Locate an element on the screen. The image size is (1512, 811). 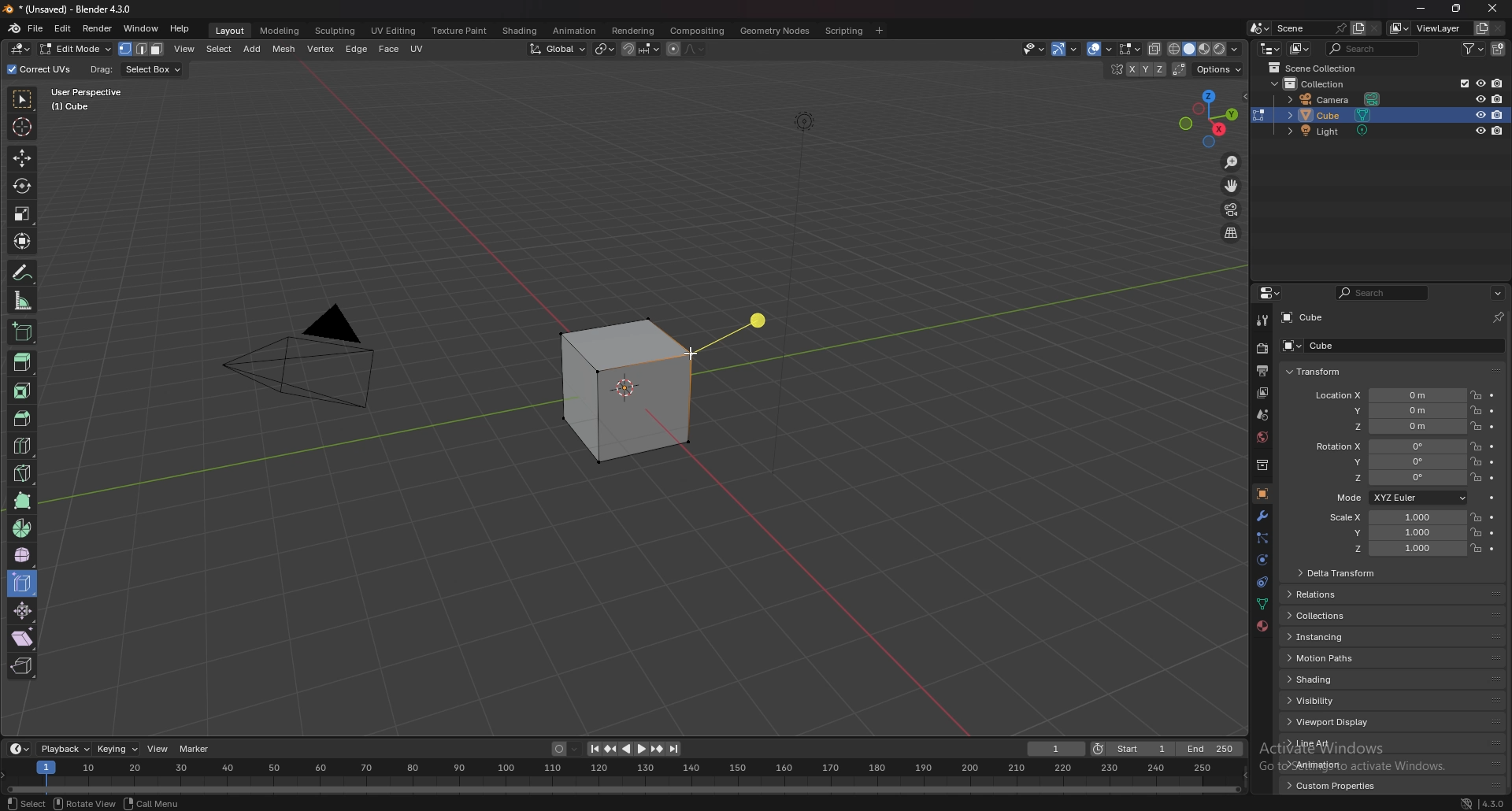
lock is located at coordinates (1477, 411).